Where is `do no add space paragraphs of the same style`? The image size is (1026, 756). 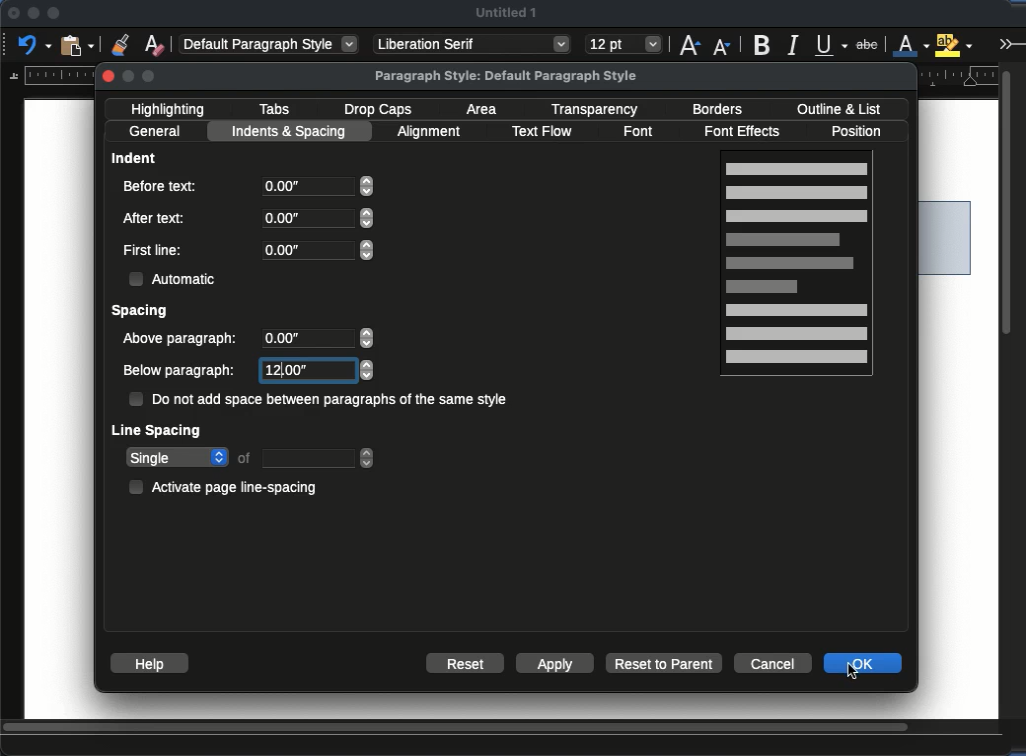
do no add space paragraphs of the same style is located at coordinates (319, 400).